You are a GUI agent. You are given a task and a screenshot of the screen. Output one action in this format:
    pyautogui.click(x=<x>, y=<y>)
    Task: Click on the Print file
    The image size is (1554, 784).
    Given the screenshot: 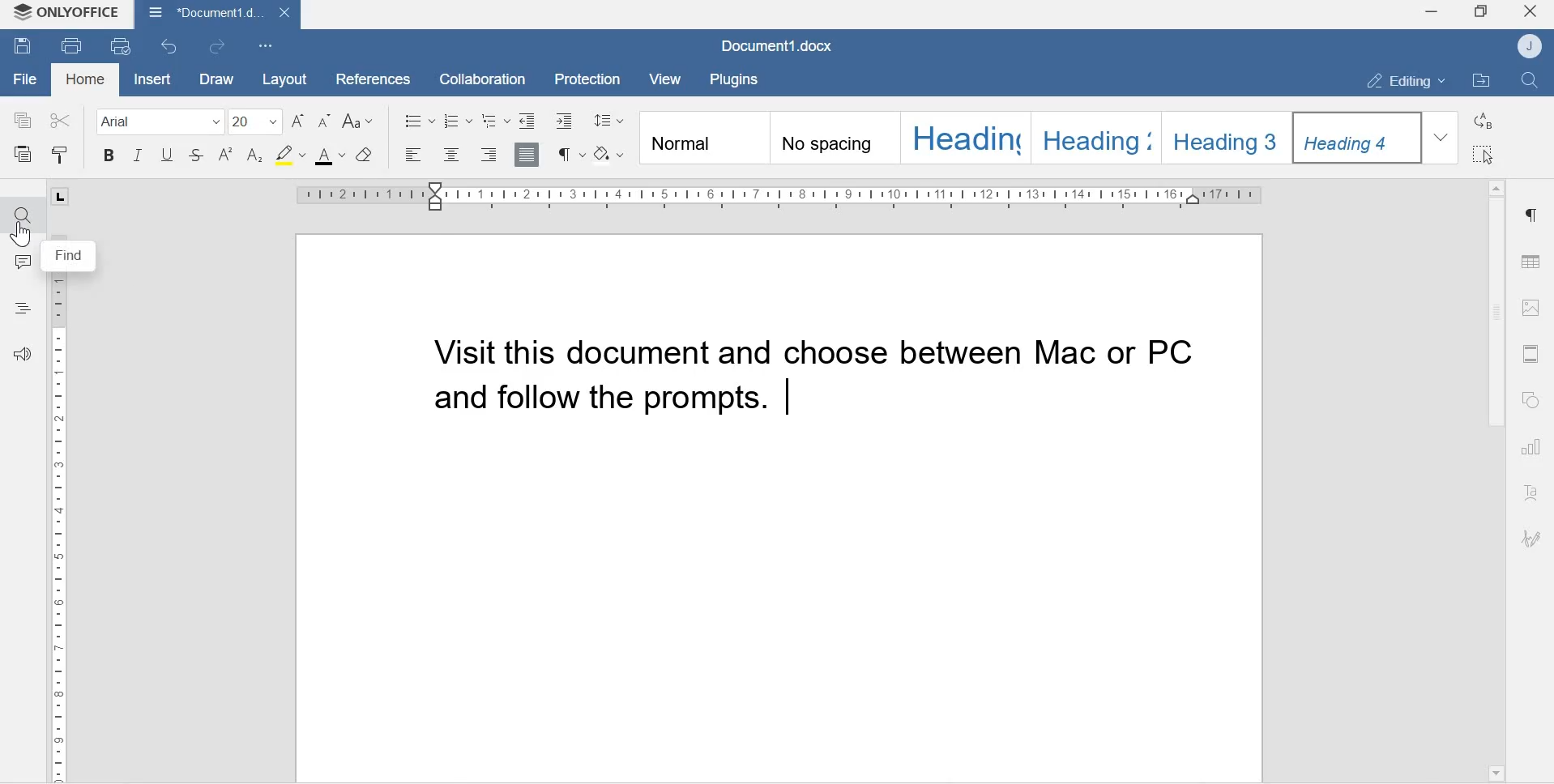 What is the action you would take?
    pyautogui.click(x=73, y=45)
    